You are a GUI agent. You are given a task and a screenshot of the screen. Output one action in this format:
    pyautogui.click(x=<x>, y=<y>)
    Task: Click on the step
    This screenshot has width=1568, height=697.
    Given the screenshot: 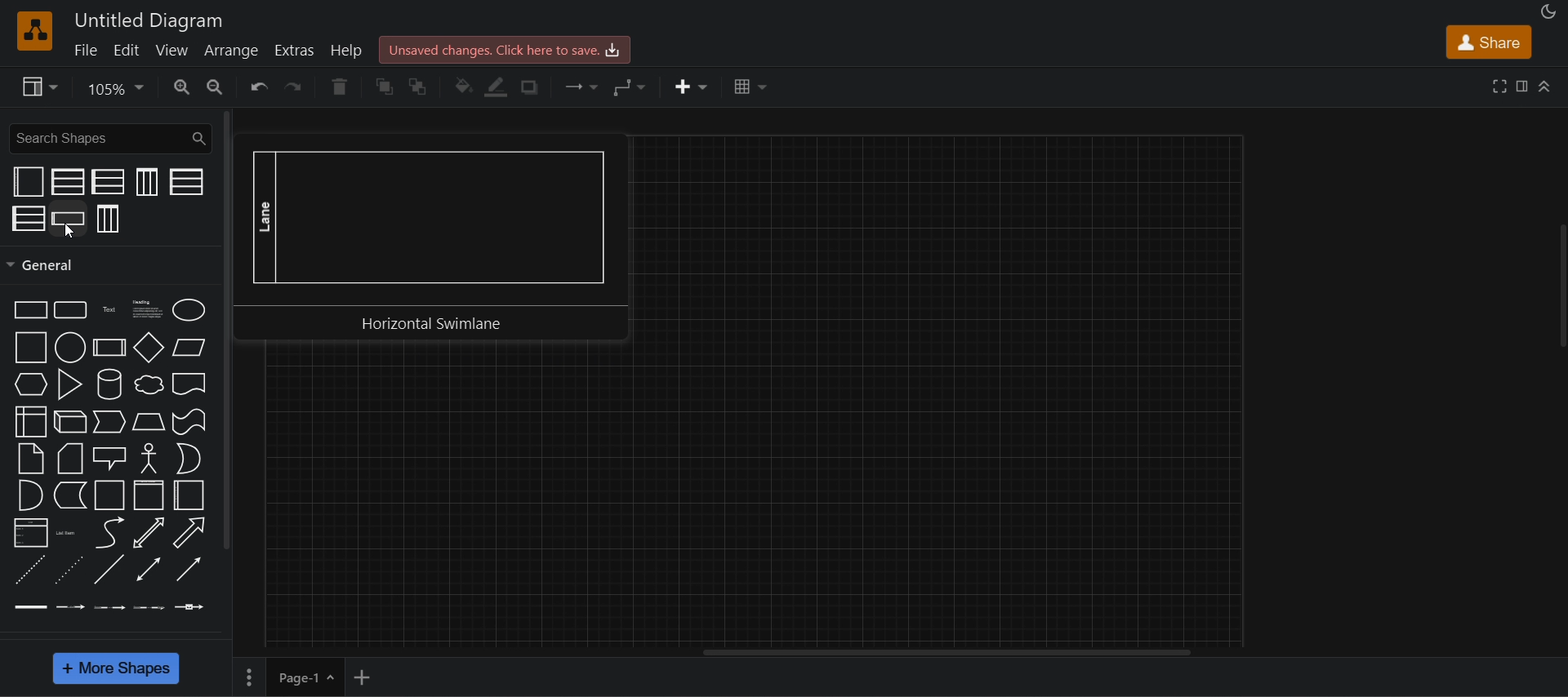 What is the action you would take?
    pyautogui.click(x=109, y=422)
    